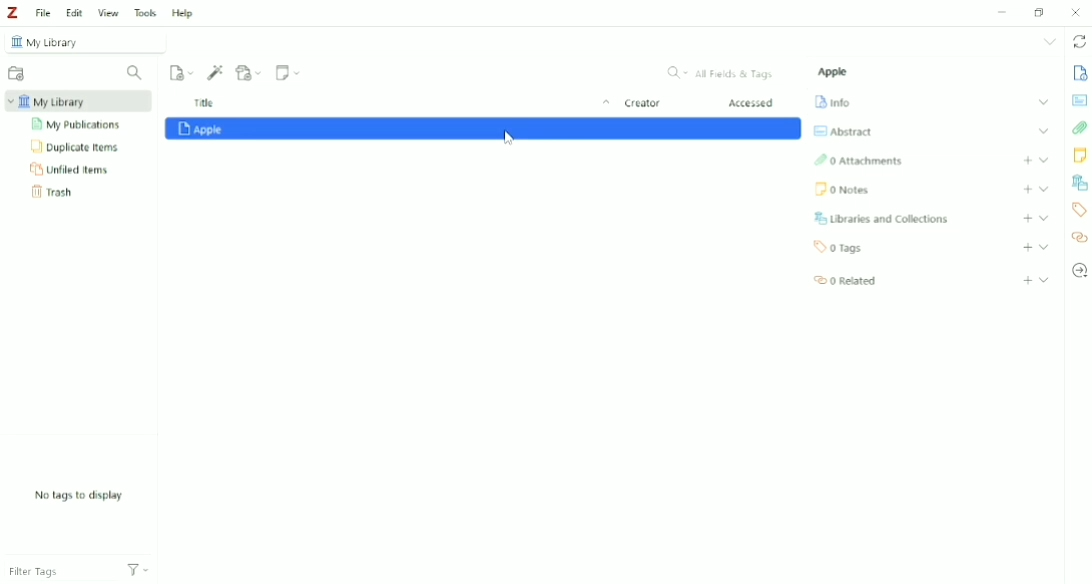  Describe the element at coordinates (182, 12) in the screenshot. I see `Help` at that location.